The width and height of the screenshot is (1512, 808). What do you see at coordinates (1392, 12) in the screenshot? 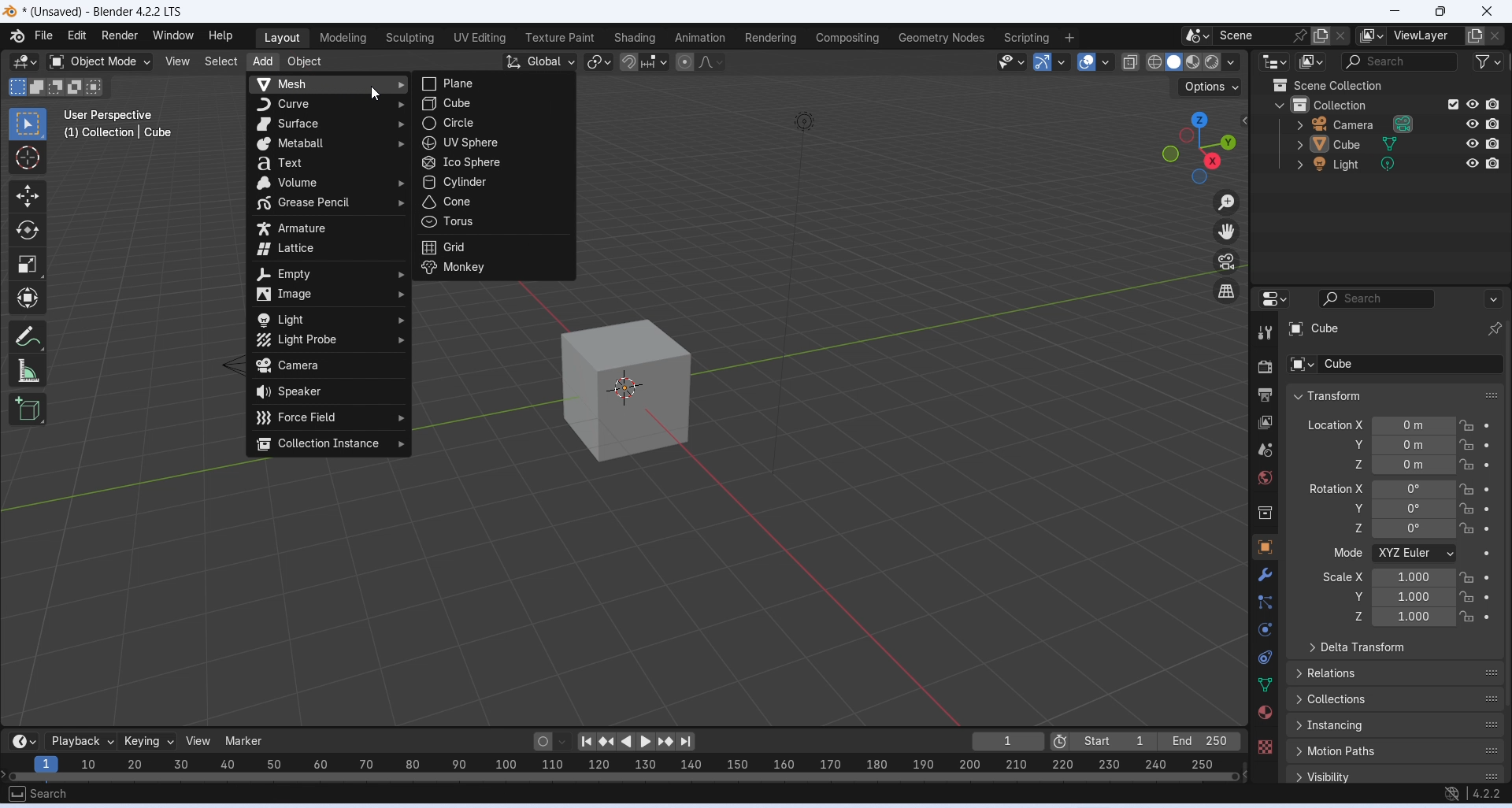
I see `Minimize` at bounding box center [1392, 12].